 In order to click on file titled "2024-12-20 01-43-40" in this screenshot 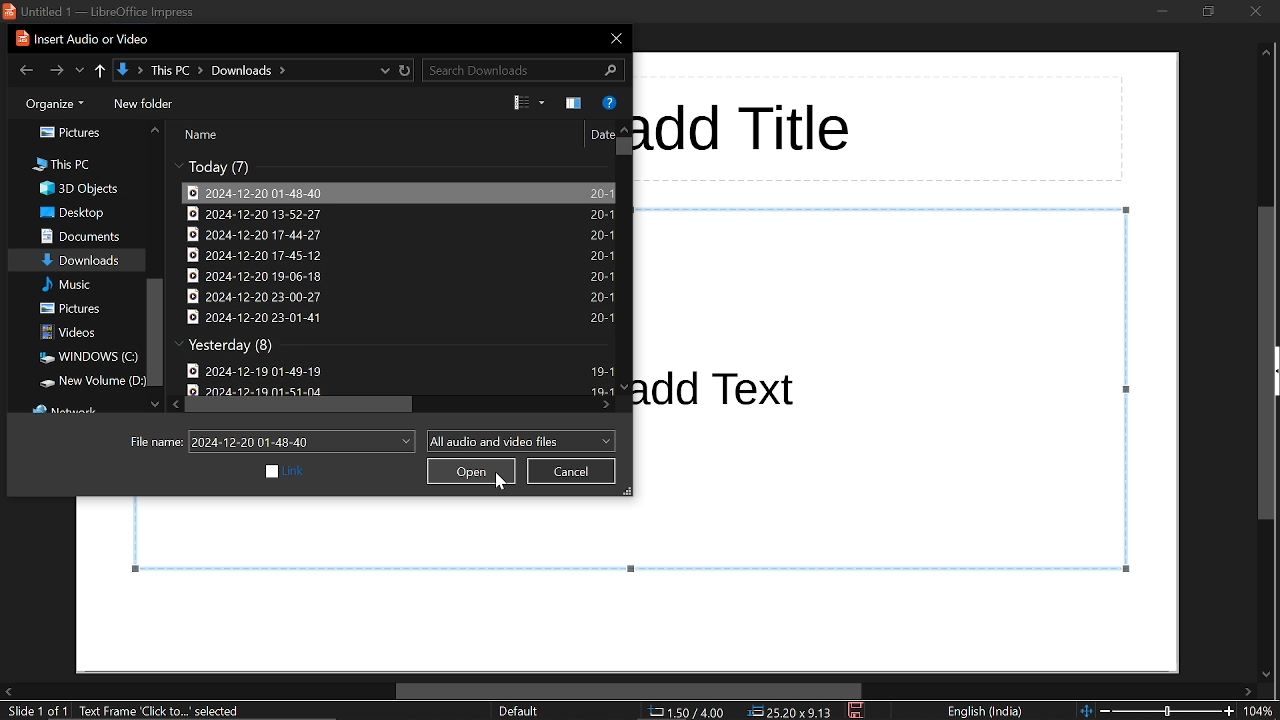, I will do `click(396, 191)`.